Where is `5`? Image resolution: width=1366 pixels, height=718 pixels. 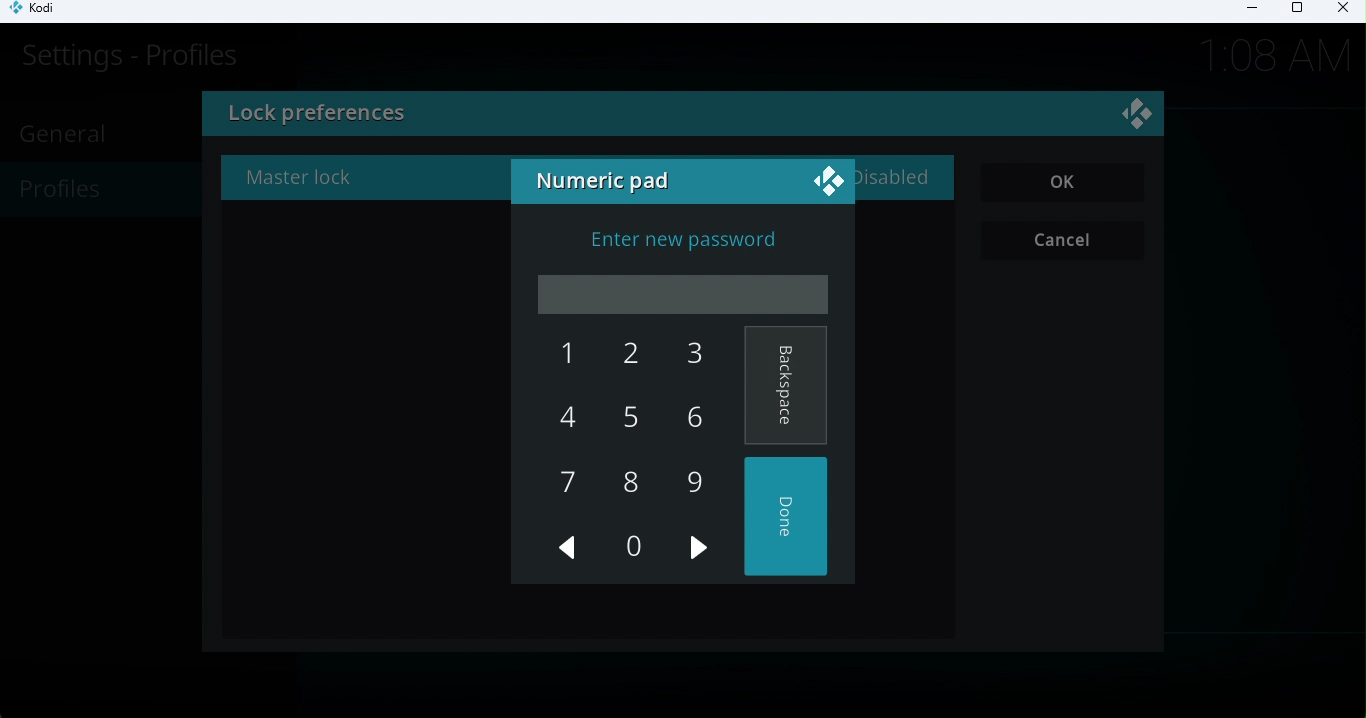
5 is located at coordinates (623, 421).